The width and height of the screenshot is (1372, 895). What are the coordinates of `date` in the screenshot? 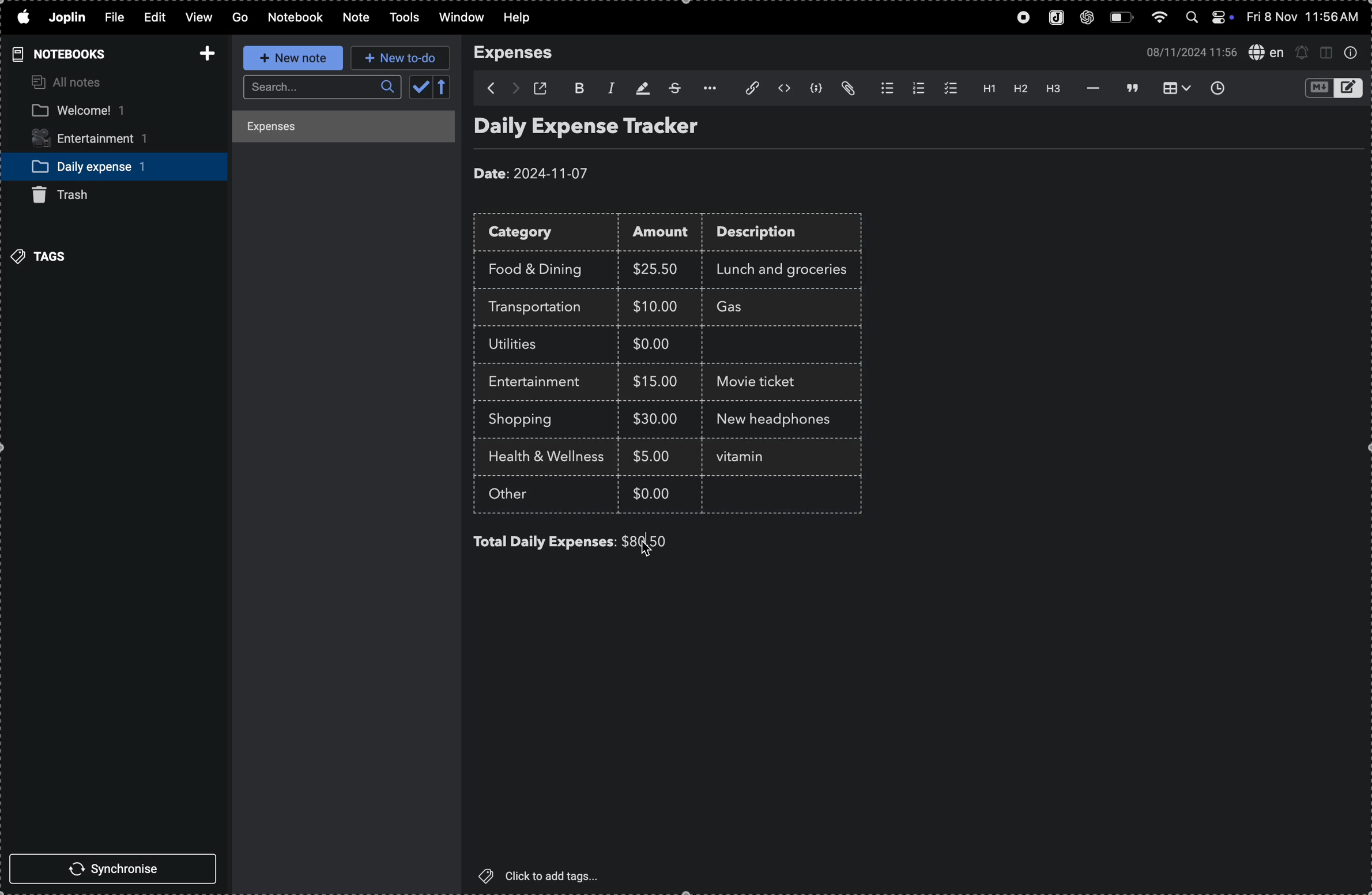 It's located at (534, 170).